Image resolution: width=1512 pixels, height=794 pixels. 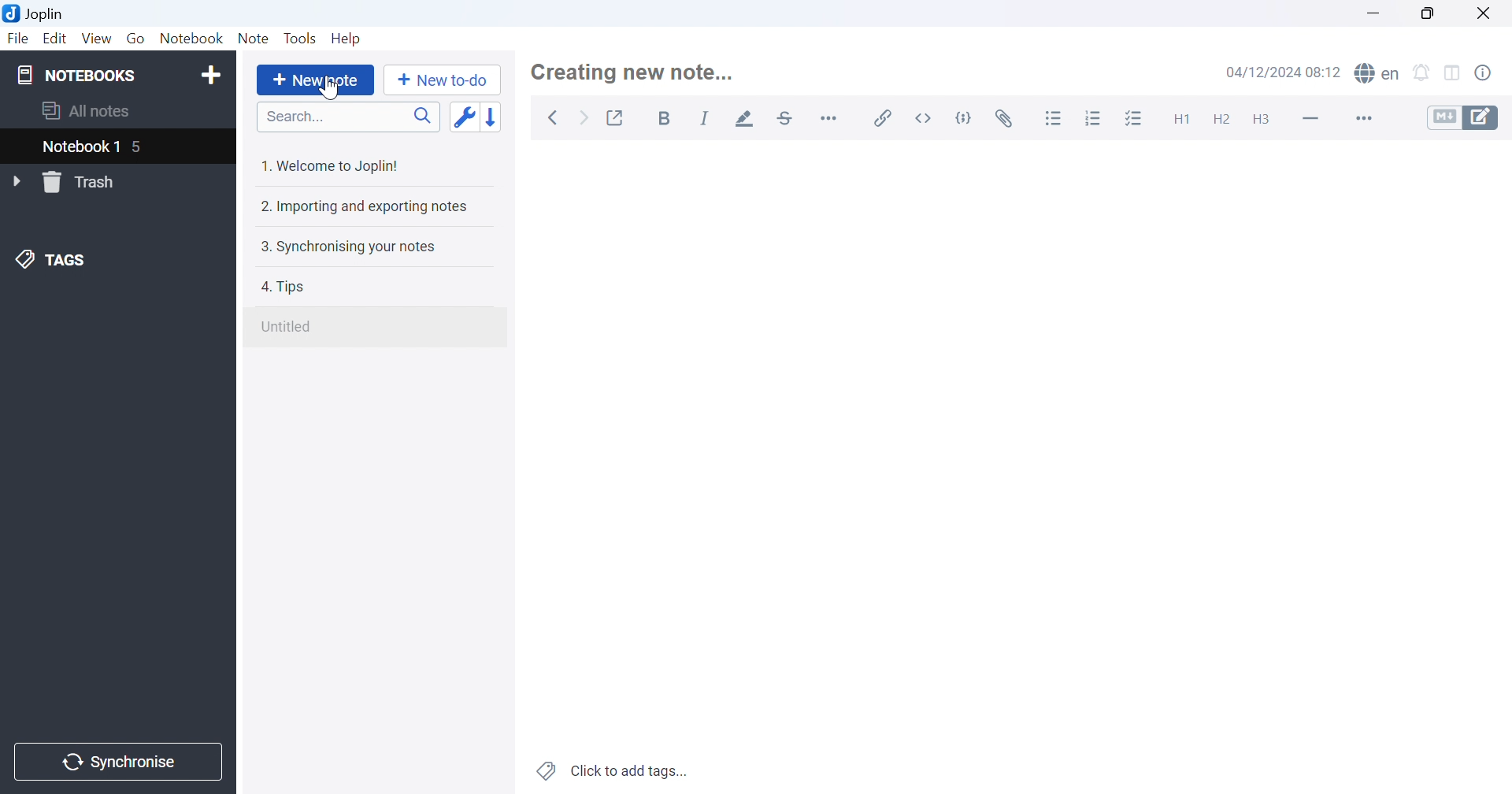 I want to click on Back, so click(x=551, y=118).